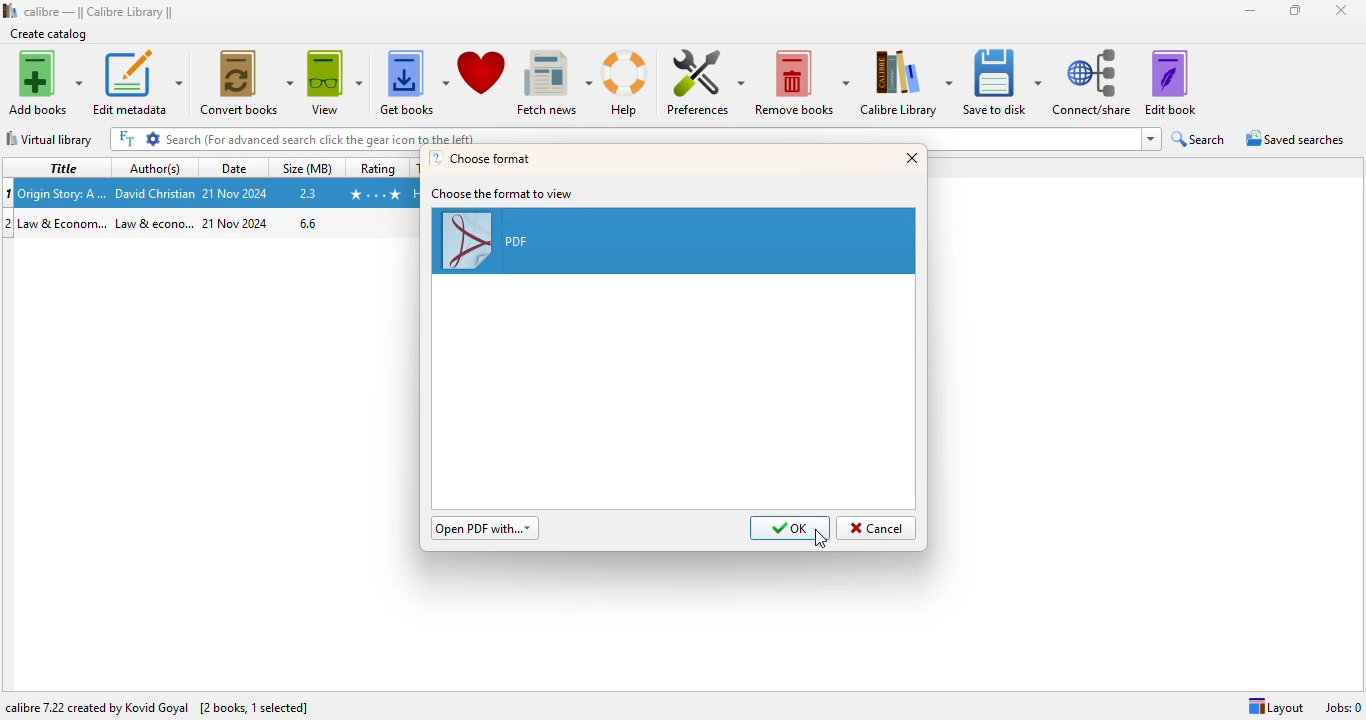 This screenshot has height=720, width=1366. I want to click on close, so click(912, 158).